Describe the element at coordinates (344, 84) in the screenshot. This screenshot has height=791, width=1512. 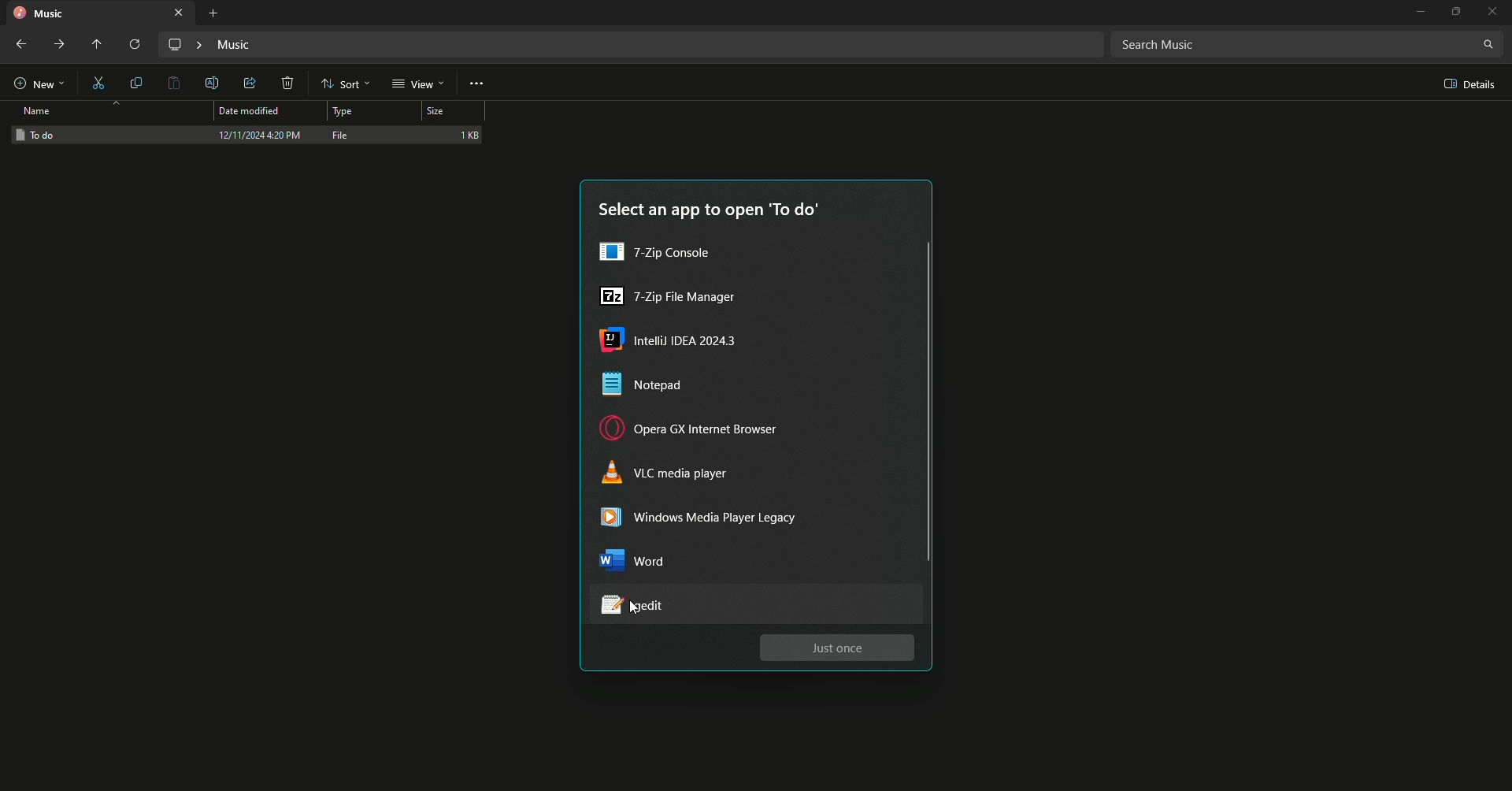
I see `Sort` at that location.